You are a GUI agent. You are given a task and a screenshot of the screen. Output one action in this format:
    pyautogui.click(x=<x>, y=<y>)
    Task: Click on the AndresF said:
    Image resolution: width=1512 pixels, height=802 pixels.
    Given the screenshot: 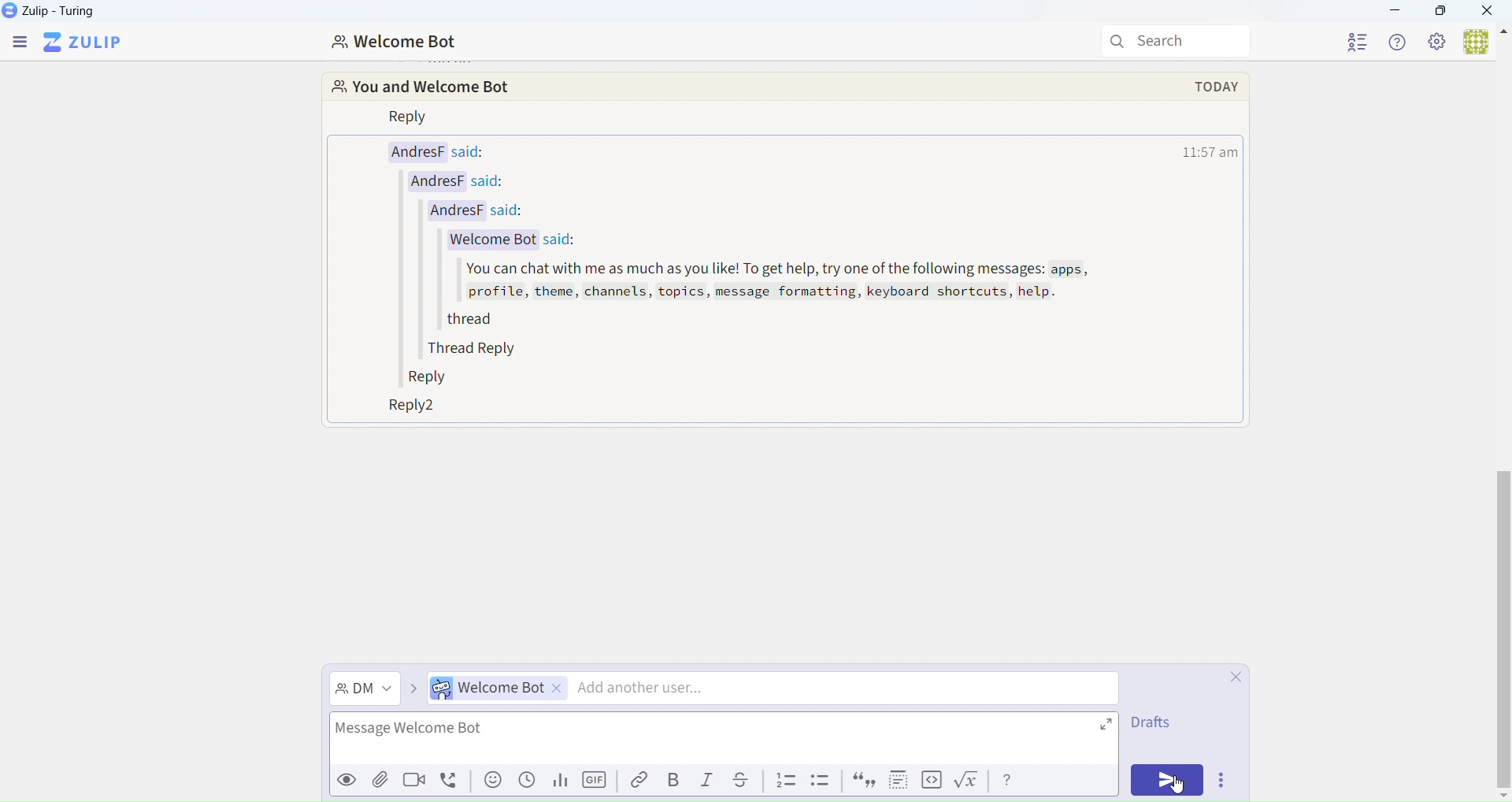 What is the action you would take?
    pyautogui.click(x=460, y=182)
    